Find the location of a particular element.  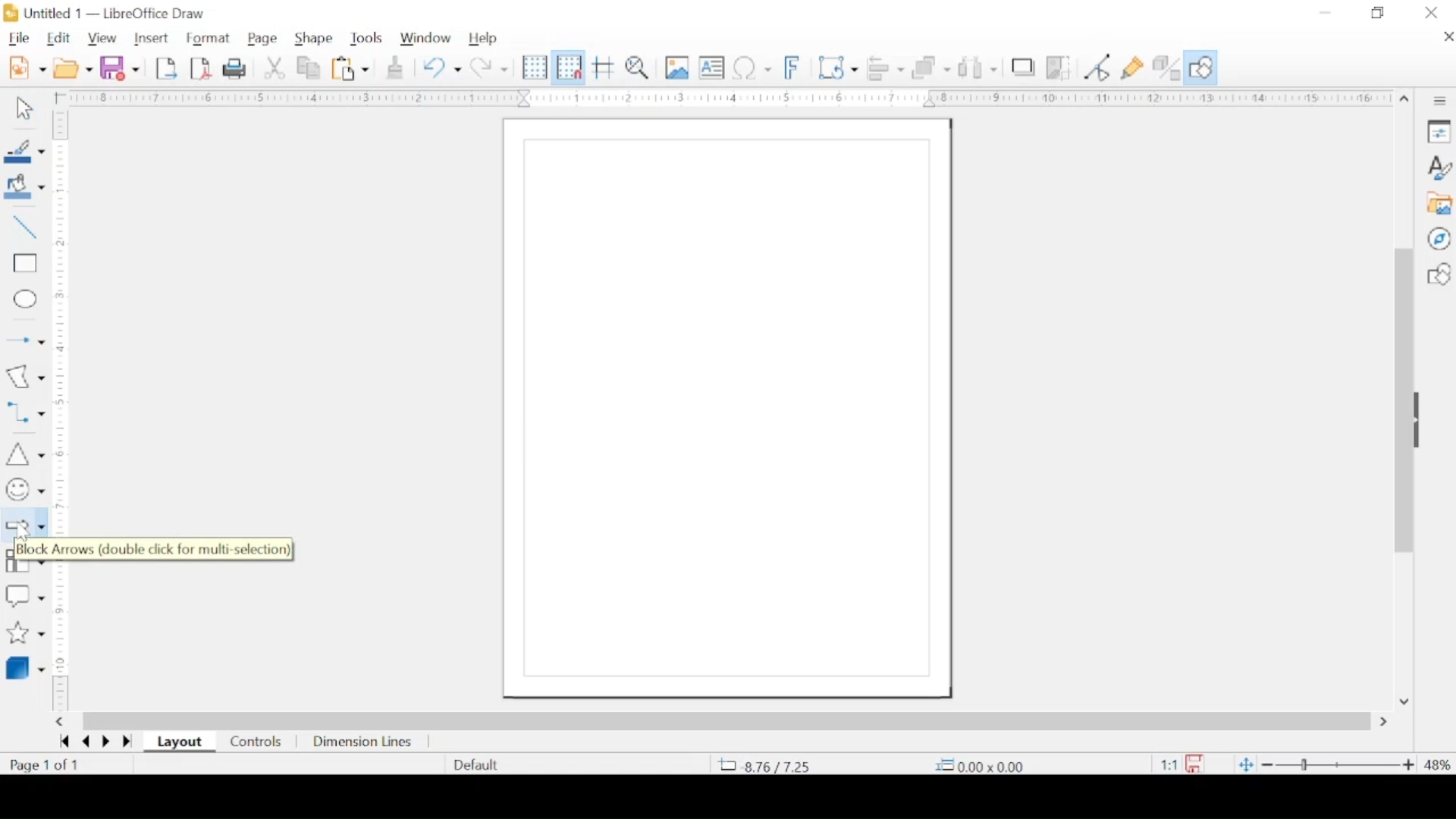

default is located at coordinates (477, 764).